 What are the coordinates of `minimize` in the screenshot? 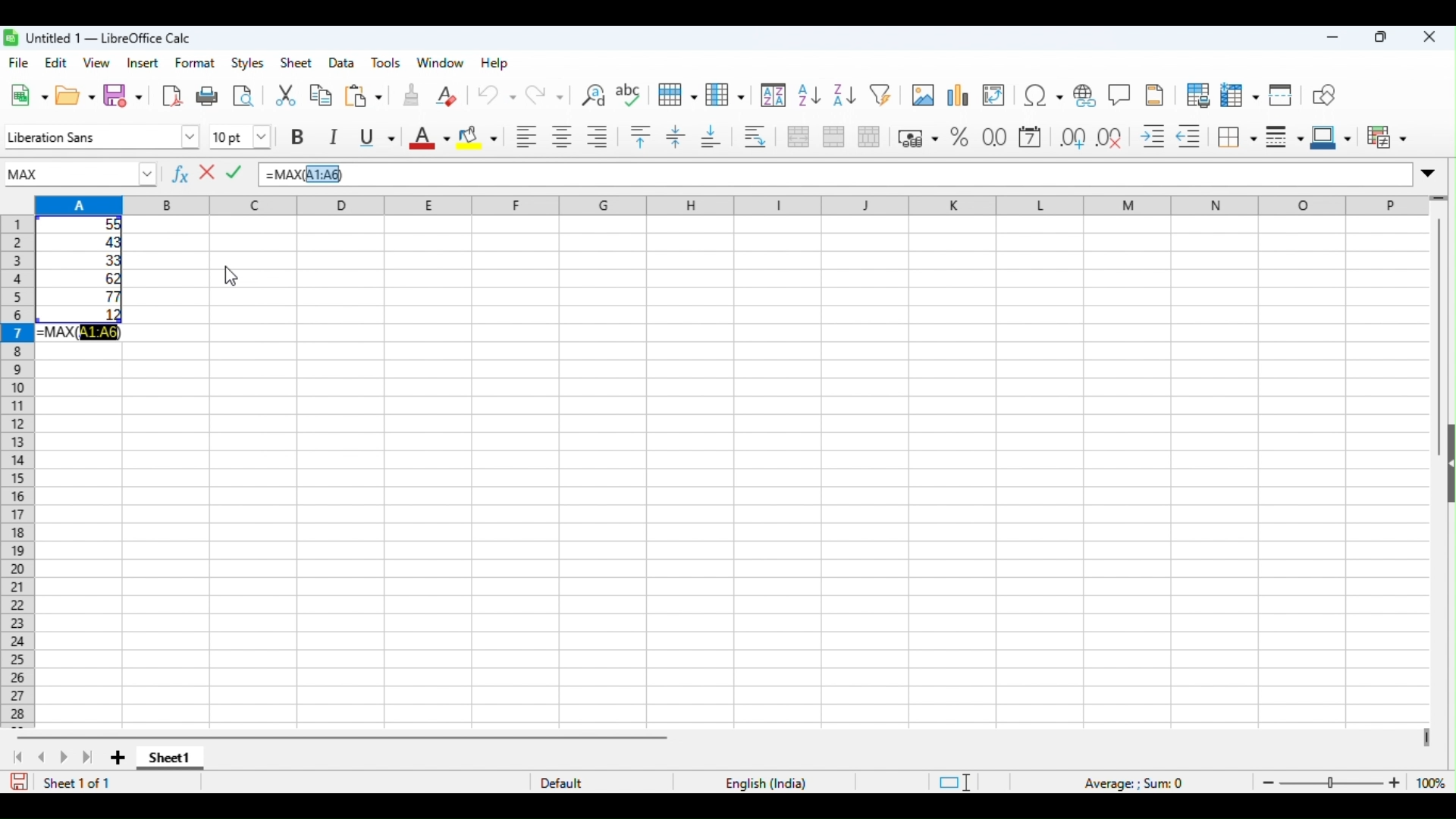 It's located at (1333, 38).